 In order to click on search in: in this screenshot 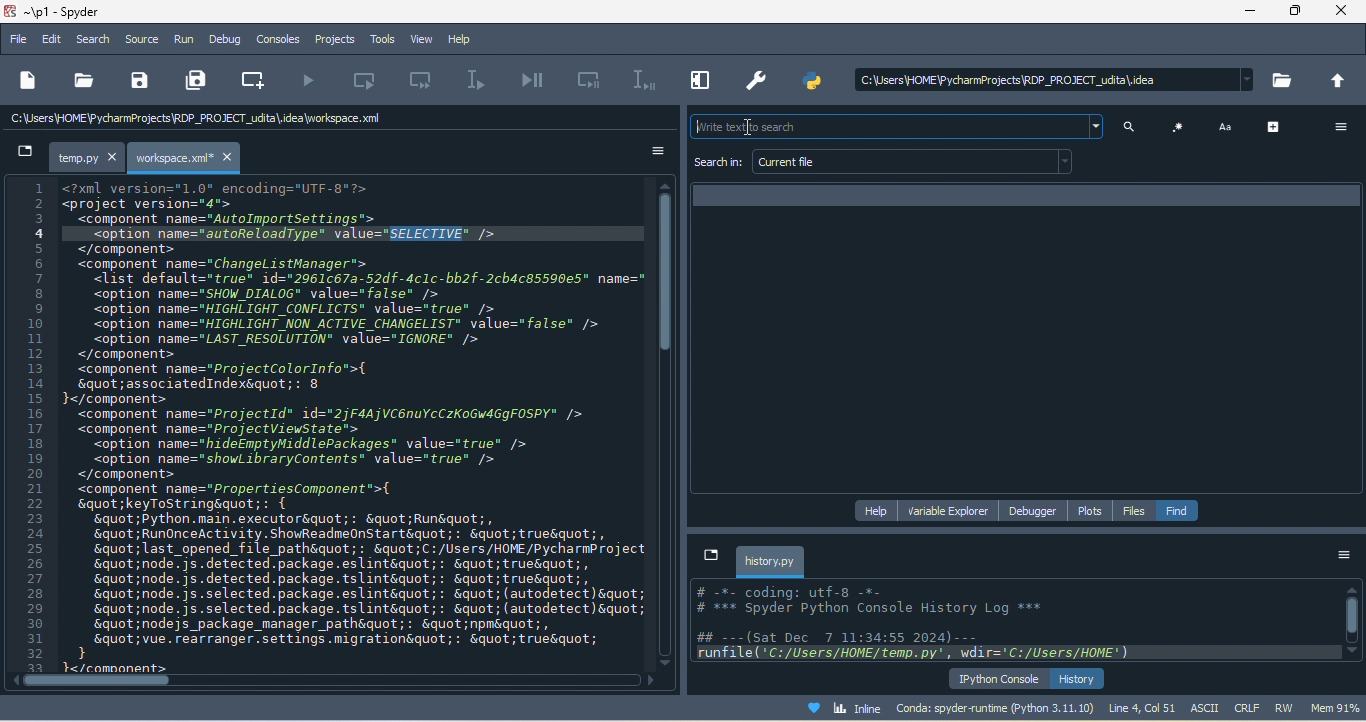, I will do `click(718, 163)`.